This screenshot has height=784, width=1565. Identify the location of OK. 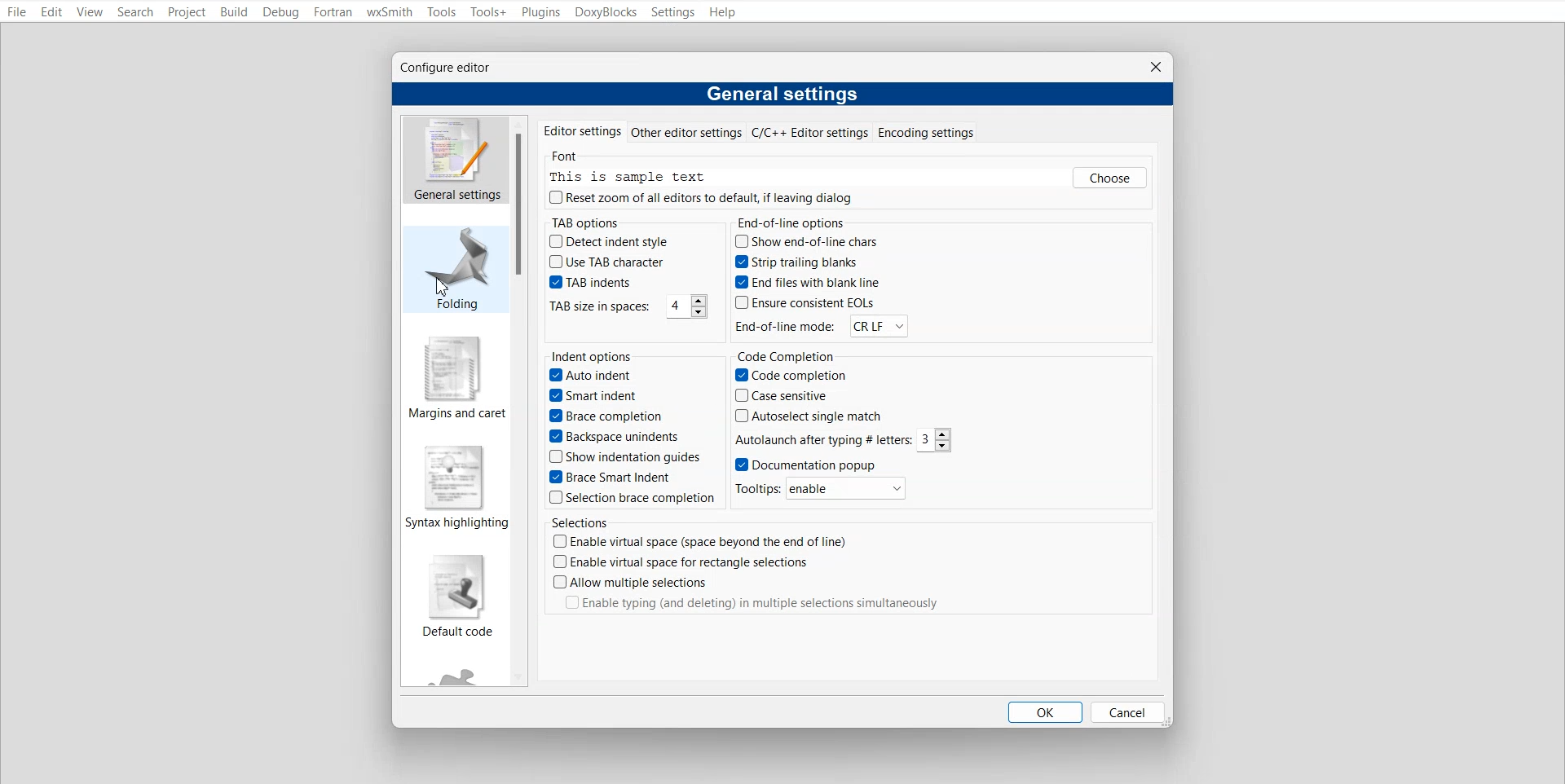
(1043, 711).